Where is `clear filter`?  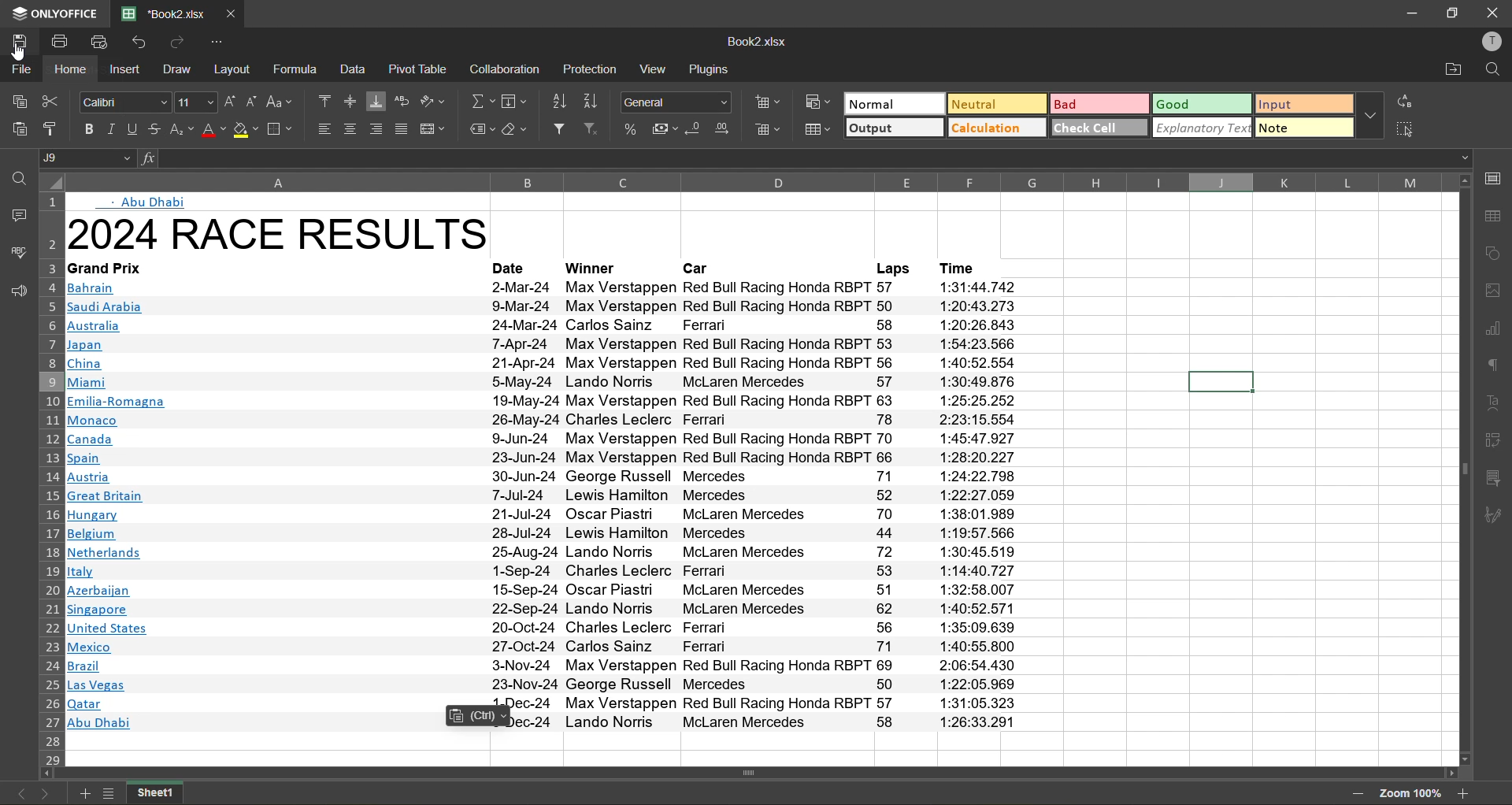
clear filter is located at coordinates (592, 128).